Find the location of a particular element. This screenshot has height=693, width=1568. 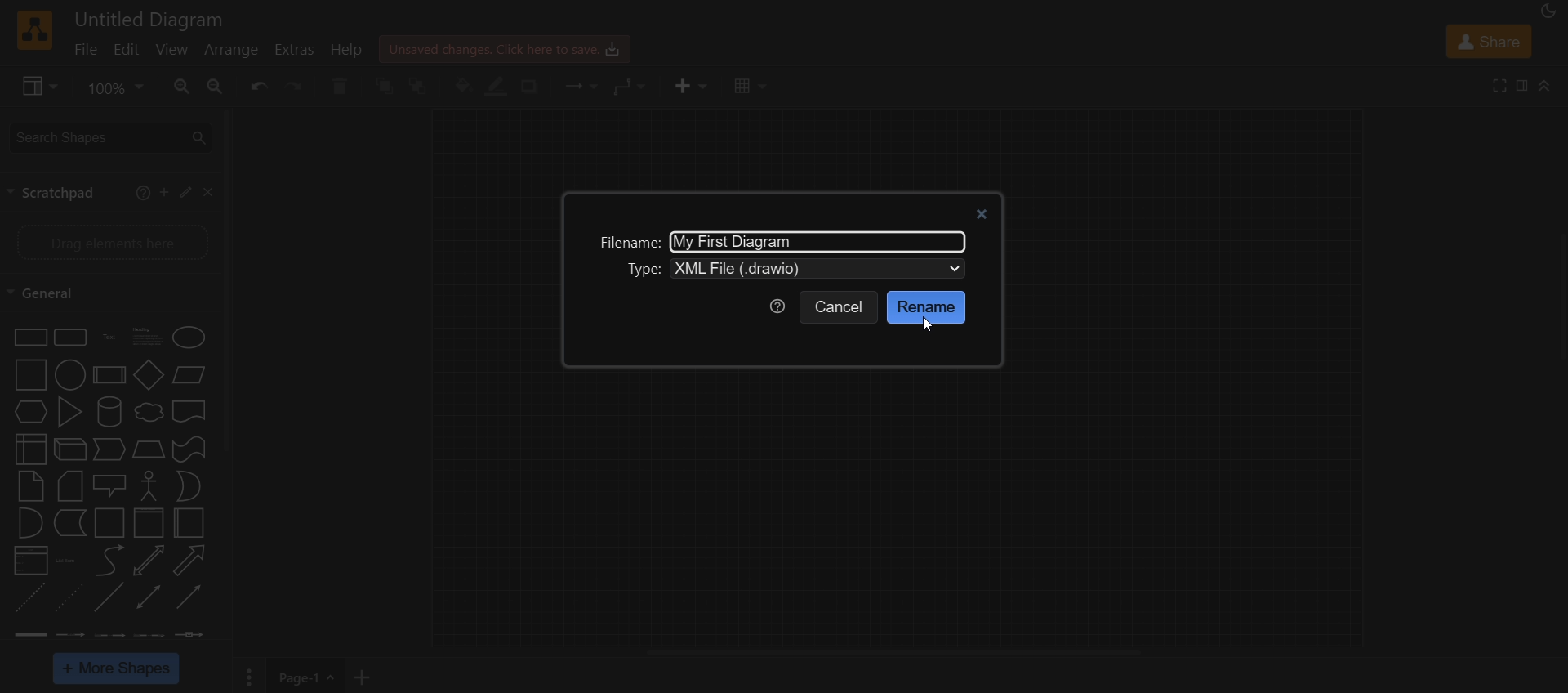

cancel is located at coordinates (840, 308).